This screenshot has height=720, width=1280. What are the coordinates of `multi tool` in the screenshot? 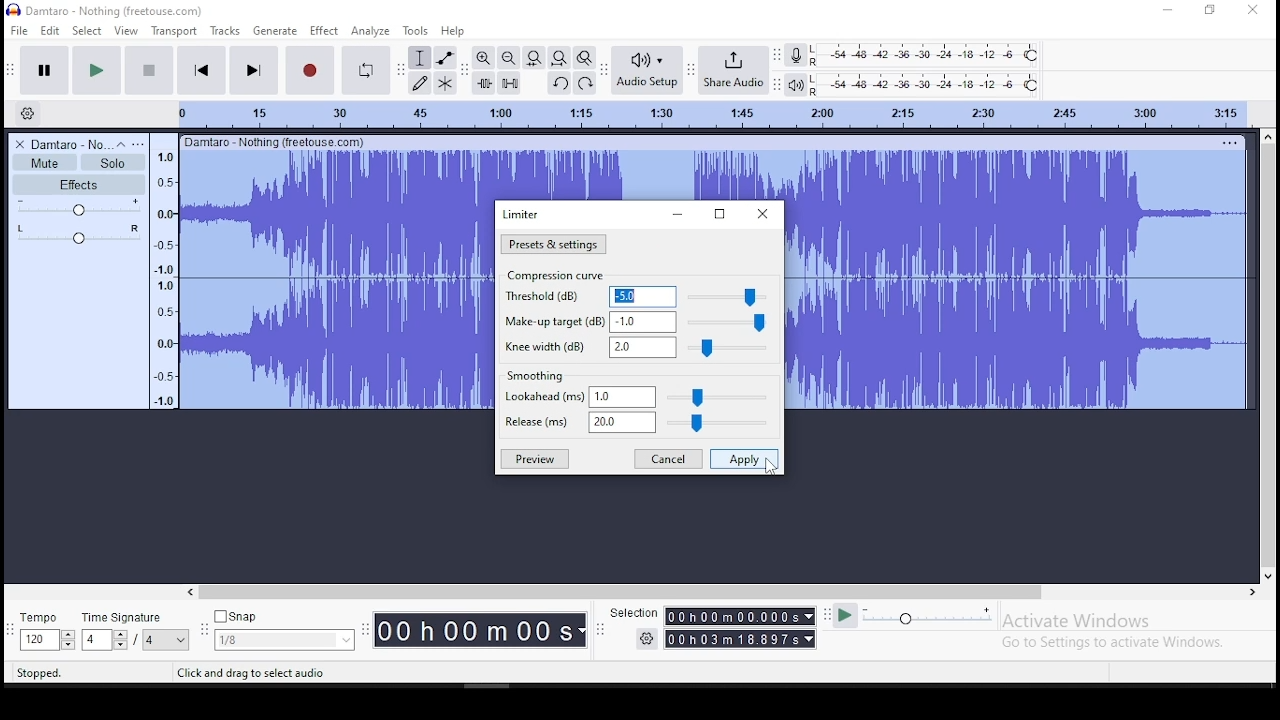 It's located at (447, 82).